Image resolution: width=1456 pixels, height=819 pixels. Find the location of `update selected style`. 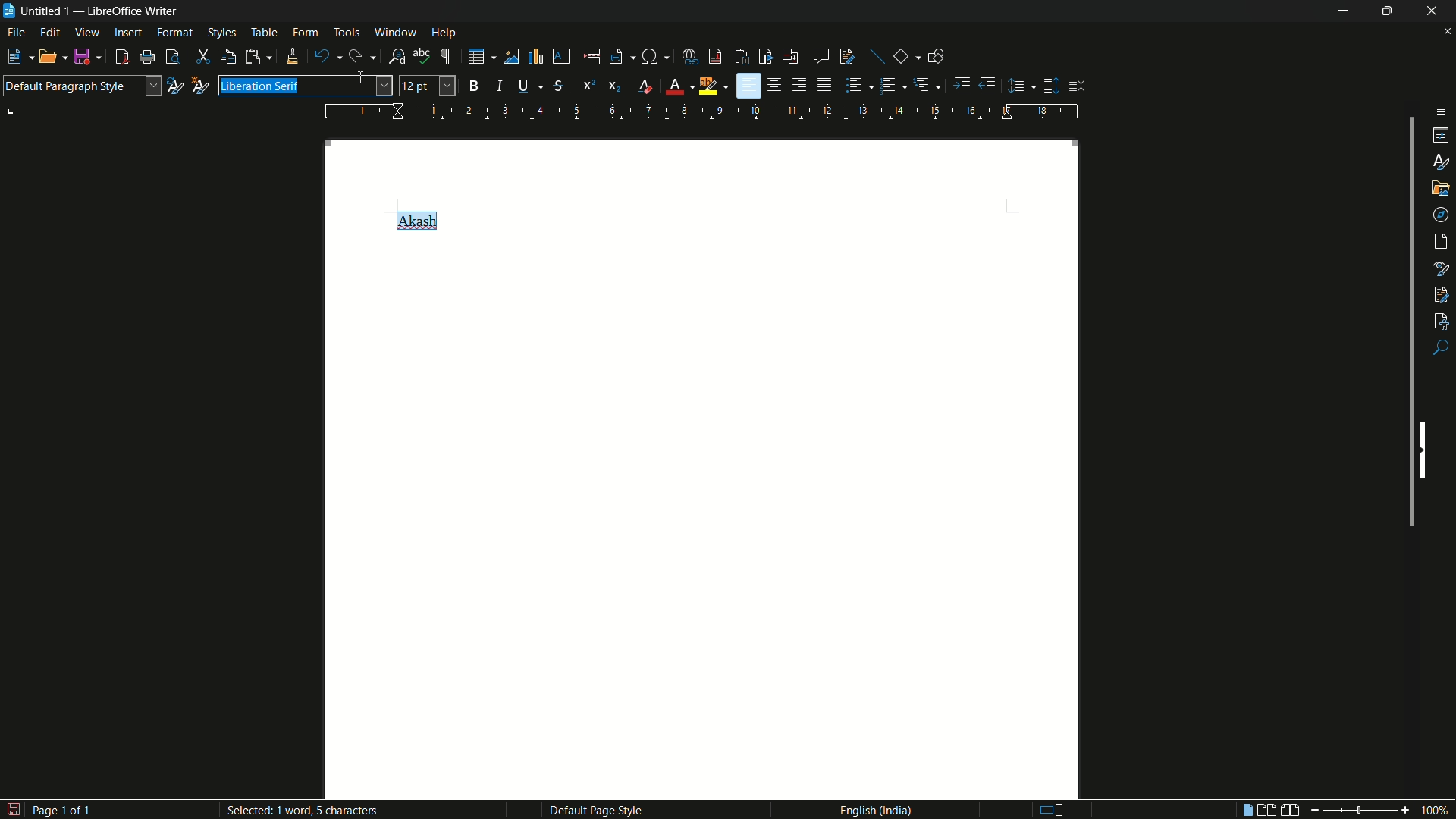

update selected style is located at coordinates (174, 86).